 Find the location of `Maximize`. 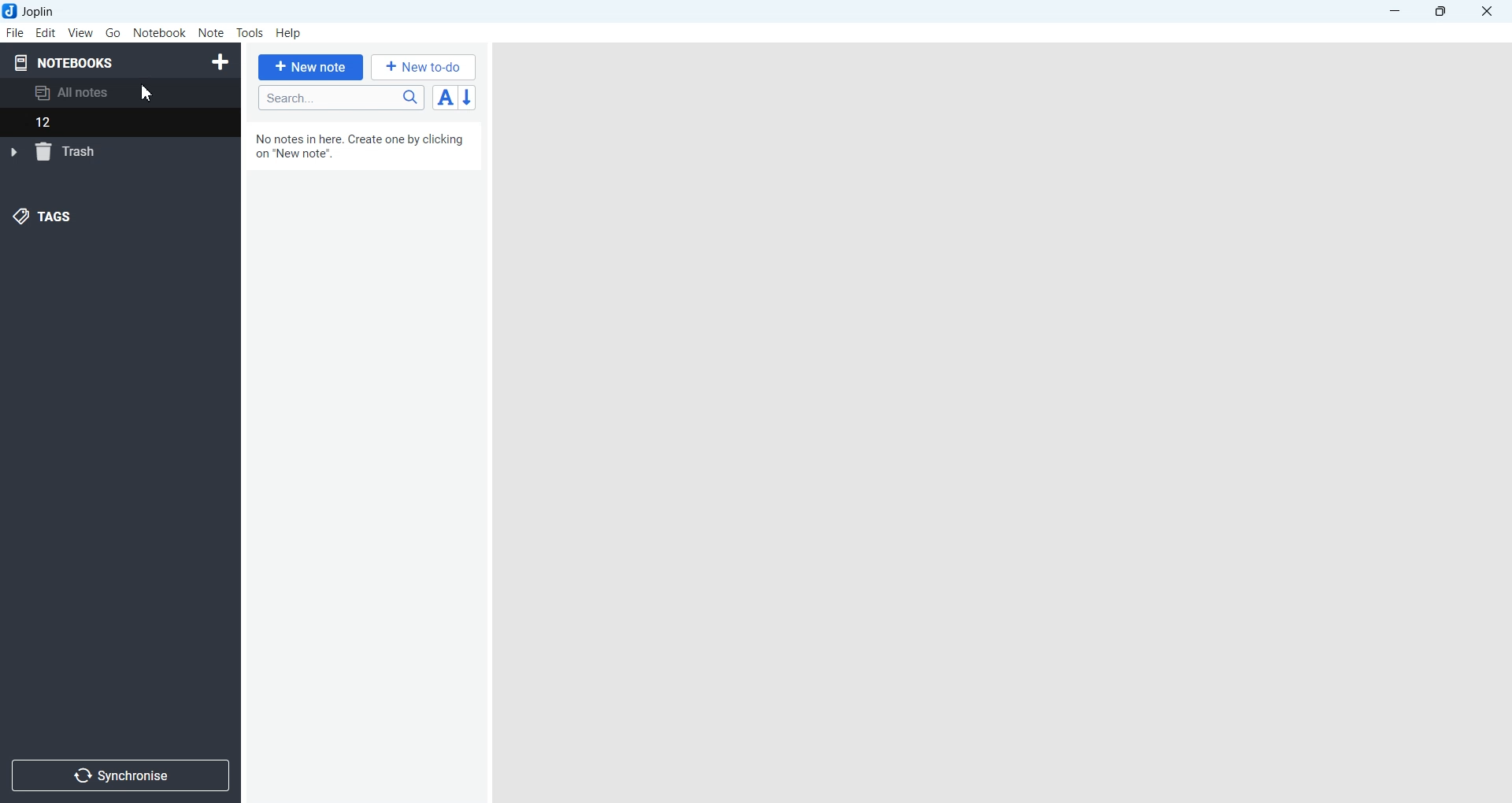

Maximize is located at coordinates (1443, 12).